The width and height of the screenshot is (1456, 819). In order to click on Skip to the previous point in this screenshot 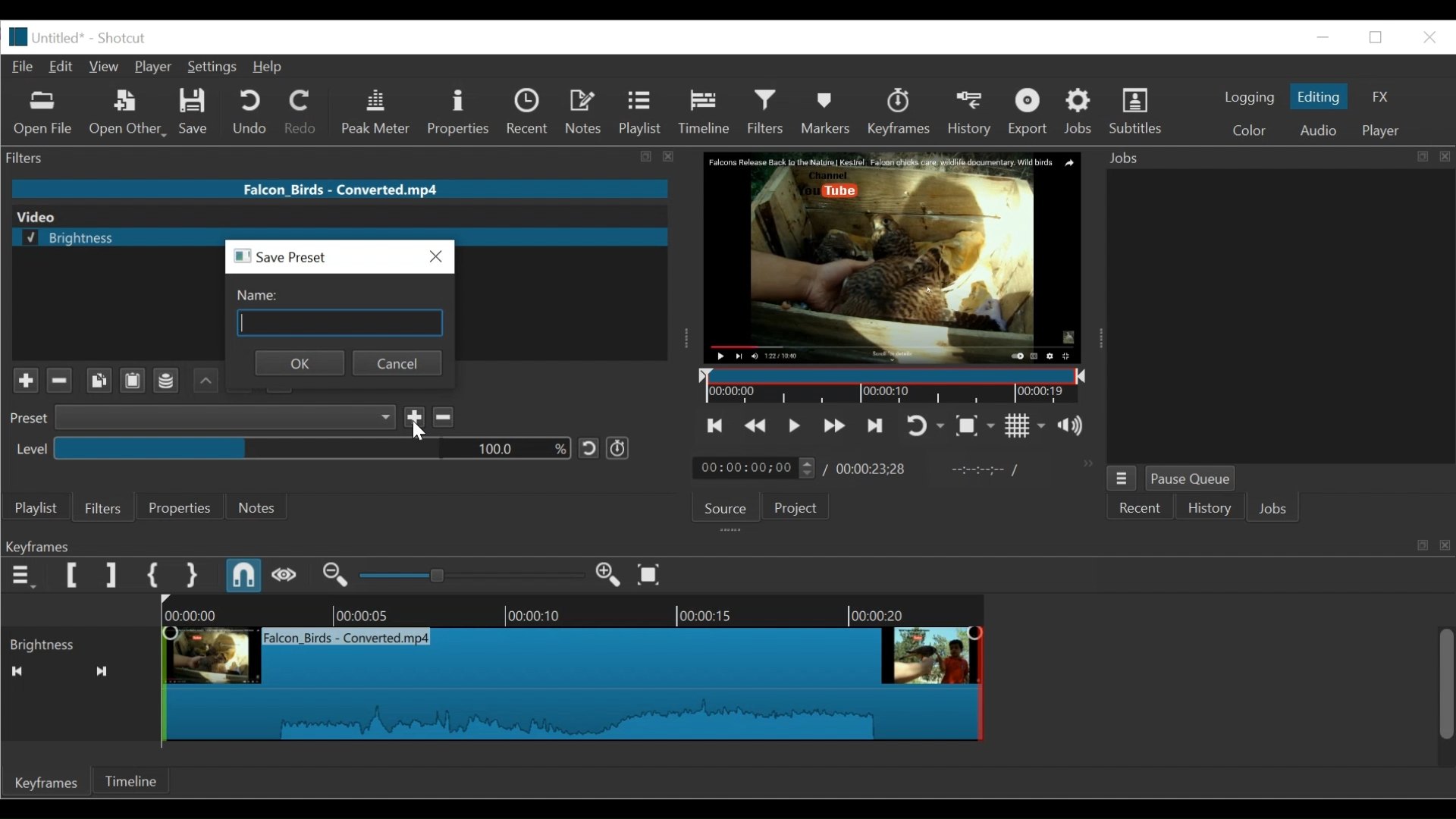, I will do `click(716, 425)`.